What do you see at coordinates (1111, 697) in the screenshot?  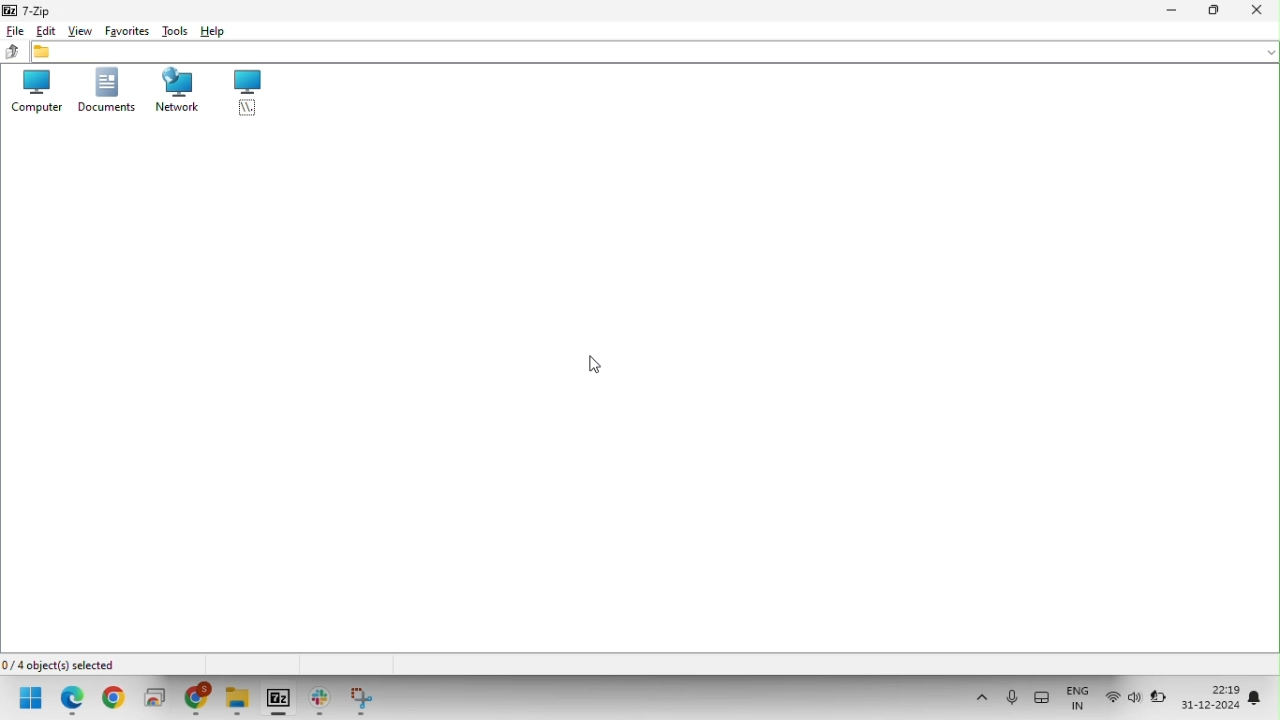 I see `wifi` at bounding box center [1111, 697].